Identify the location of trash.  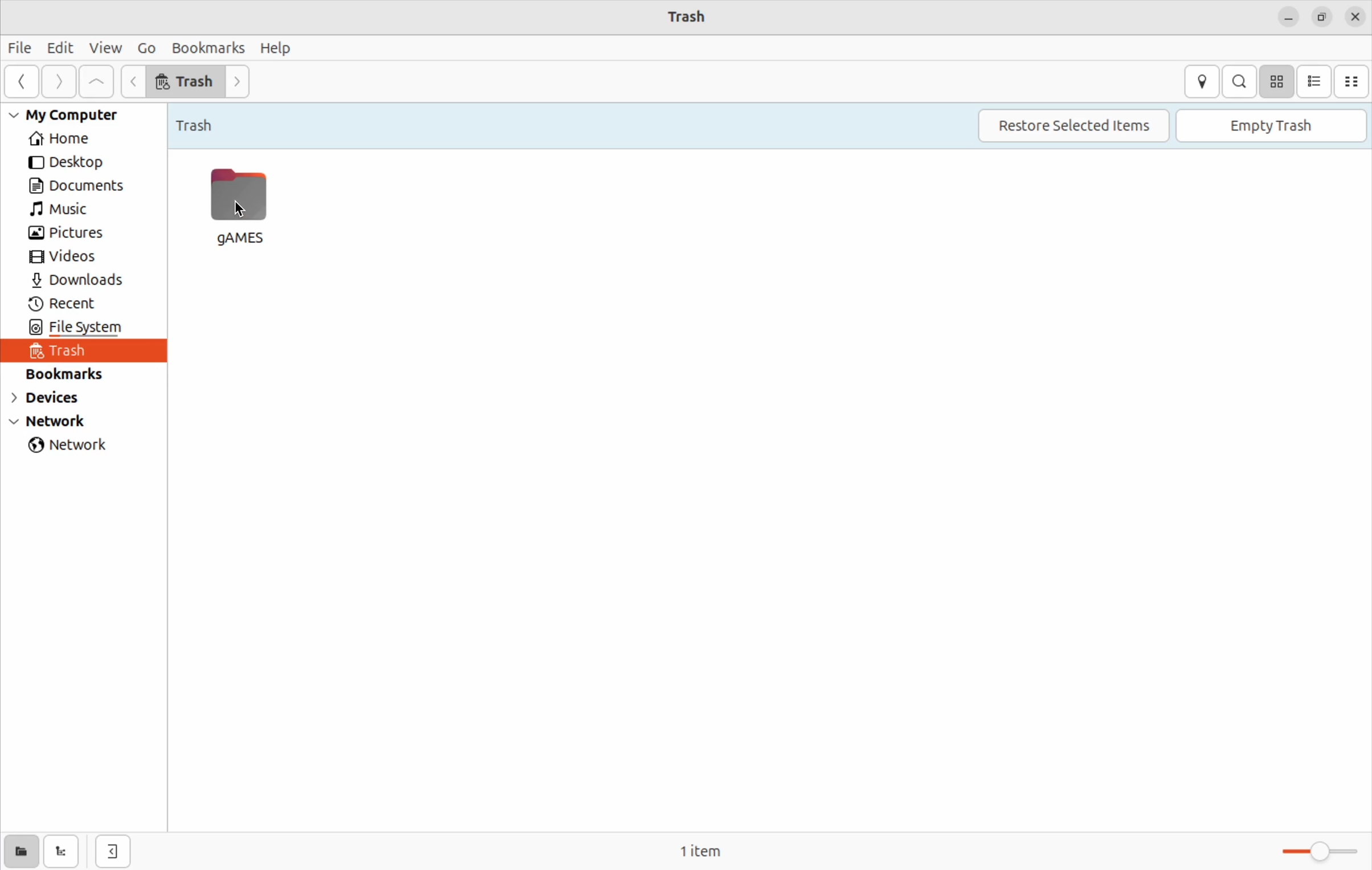
(186, 80).